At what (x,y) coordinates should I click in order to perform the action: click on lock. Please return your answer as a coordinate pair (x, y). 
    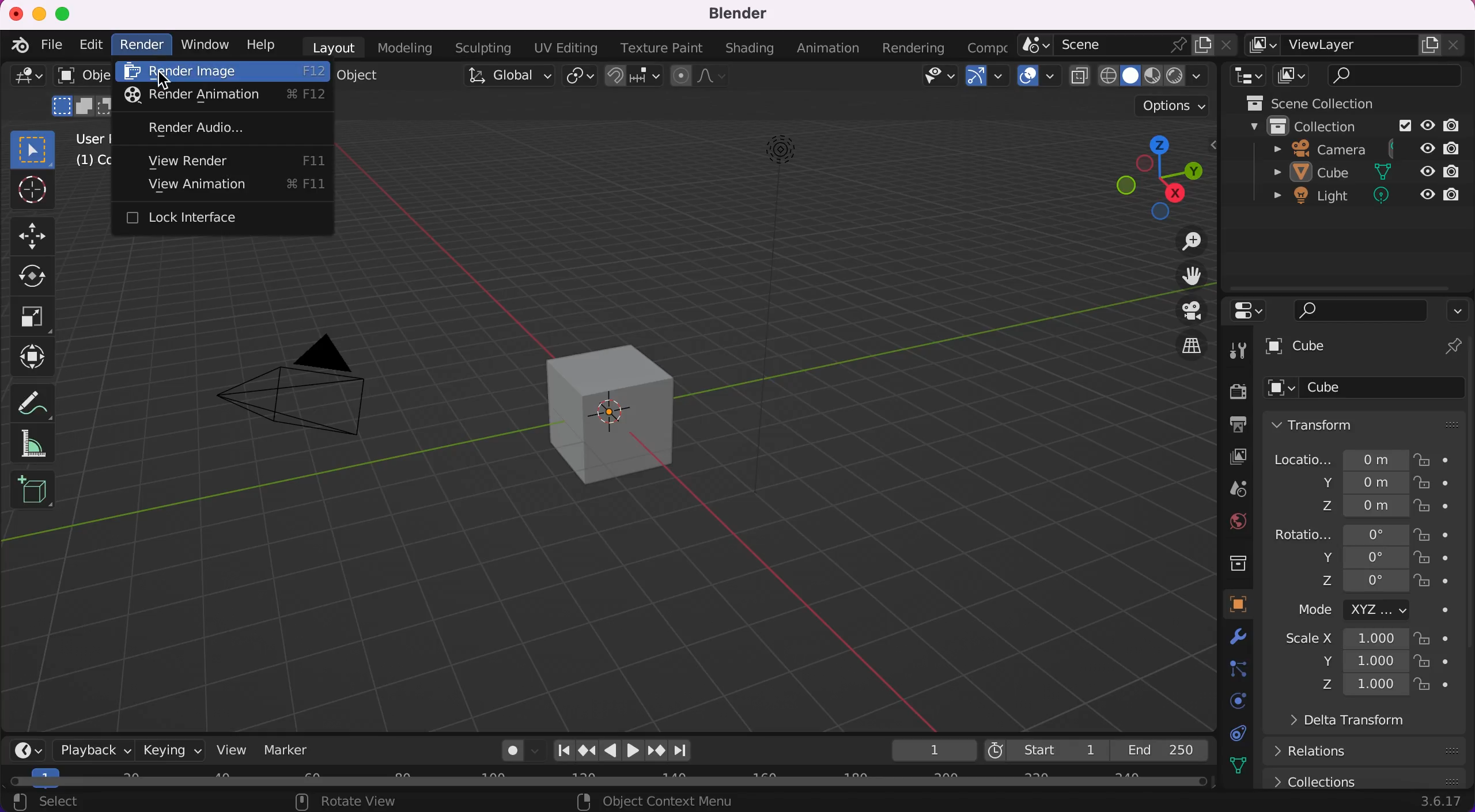
    Looking at the image, I should click on (1434, 534).